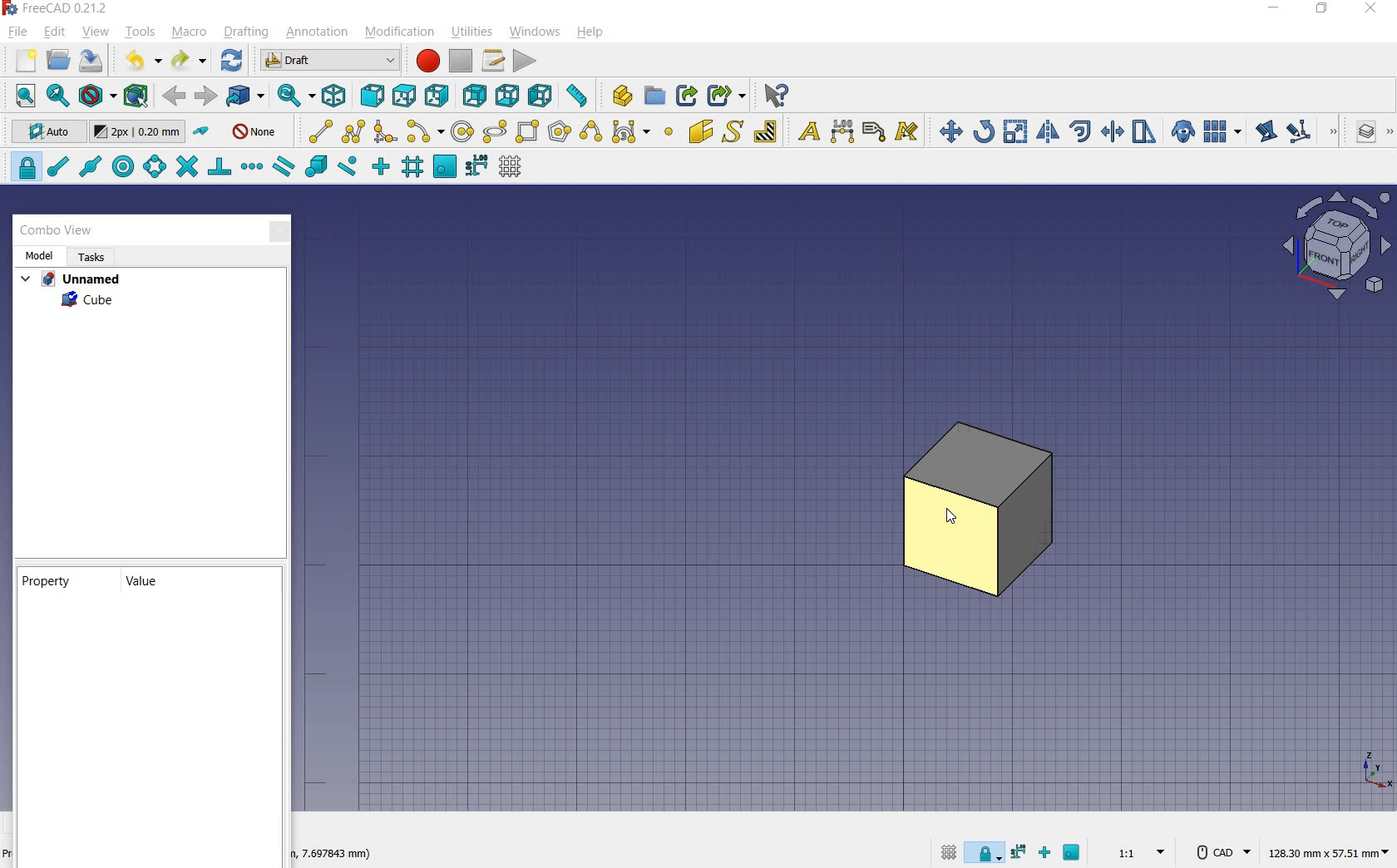 The width and height of the screenshot is (1397, 868). Describe the element at coordinates (252, 167) in the screenshot. I see `snap extension` at that location.